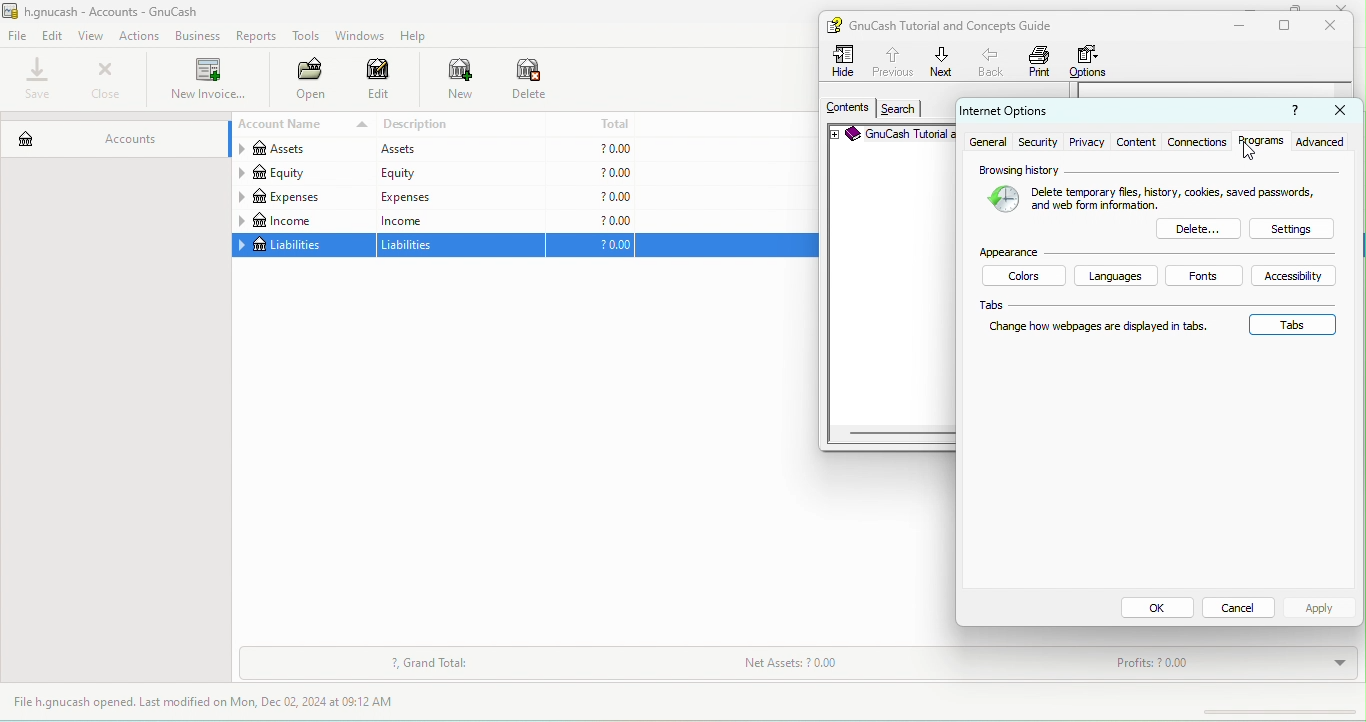  What do you see at coordinates (1342, 111) in the screenshot?
I see `close` at bounding box center [1342, 111].